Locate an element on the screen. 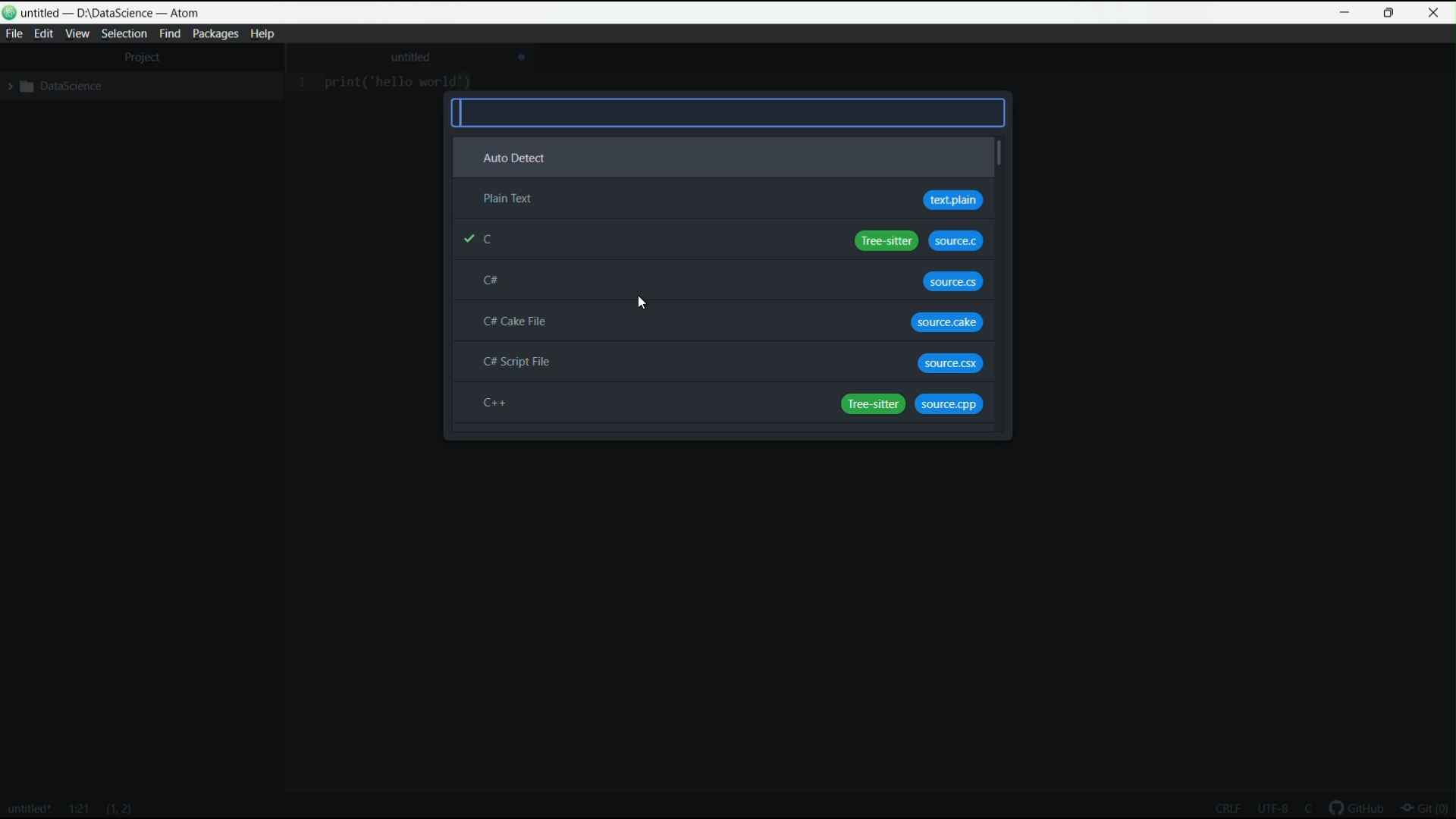  c++ is located at coordinates (495, 404).